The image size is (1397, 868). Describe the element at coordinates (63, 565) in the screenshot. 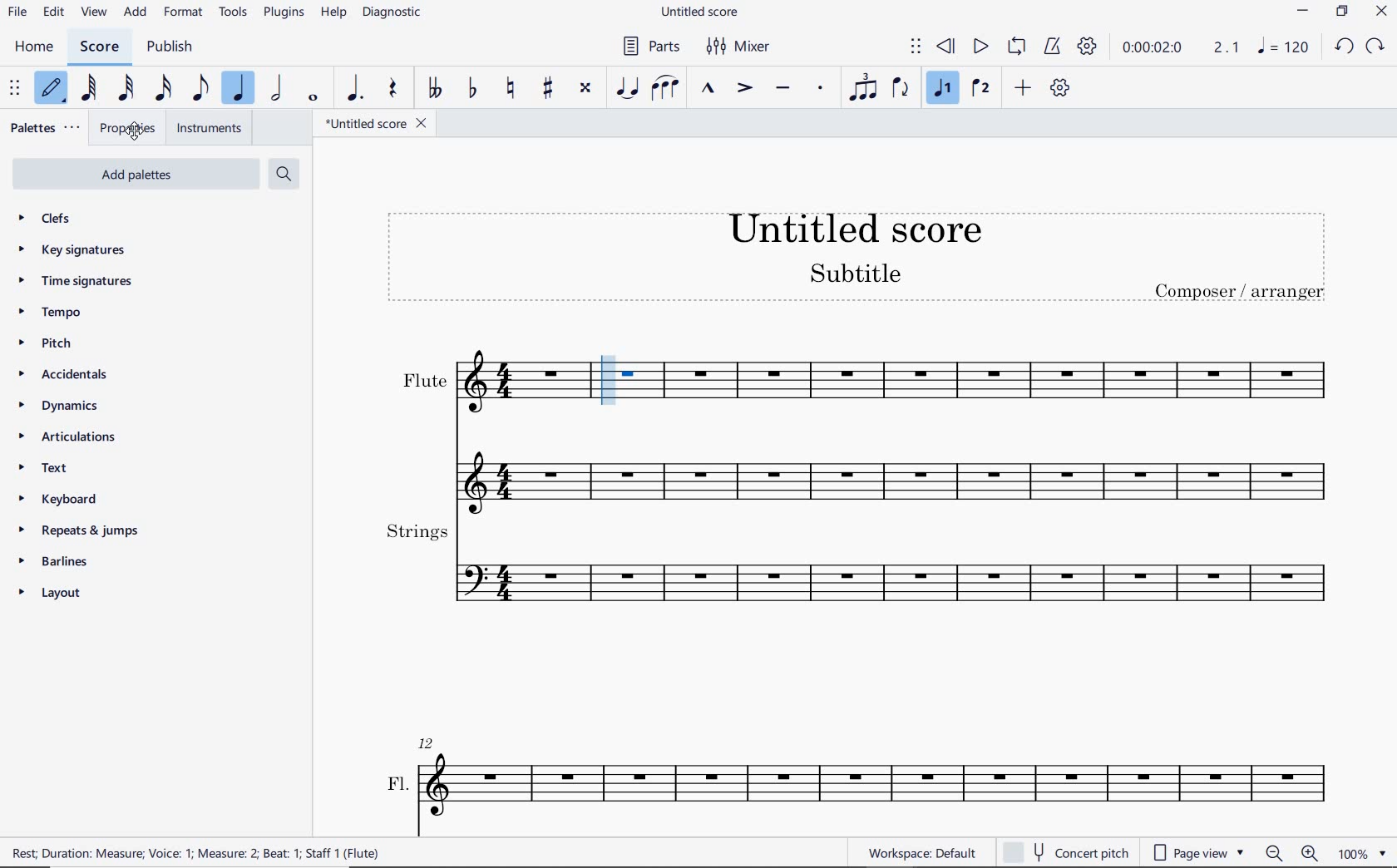

I see `barlines` at that location.